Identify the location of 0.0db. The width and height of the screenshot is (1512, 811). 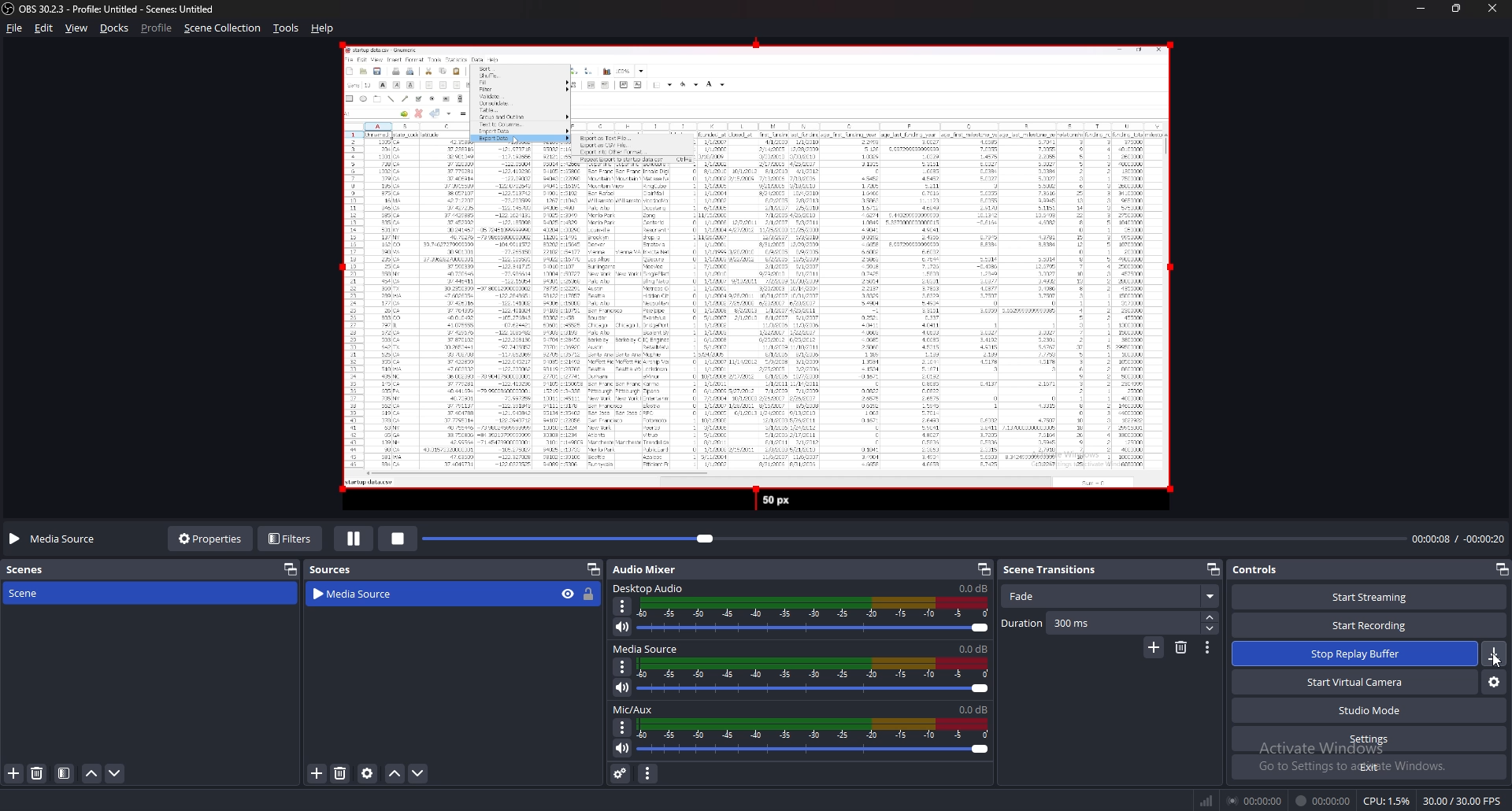
(974, 710).